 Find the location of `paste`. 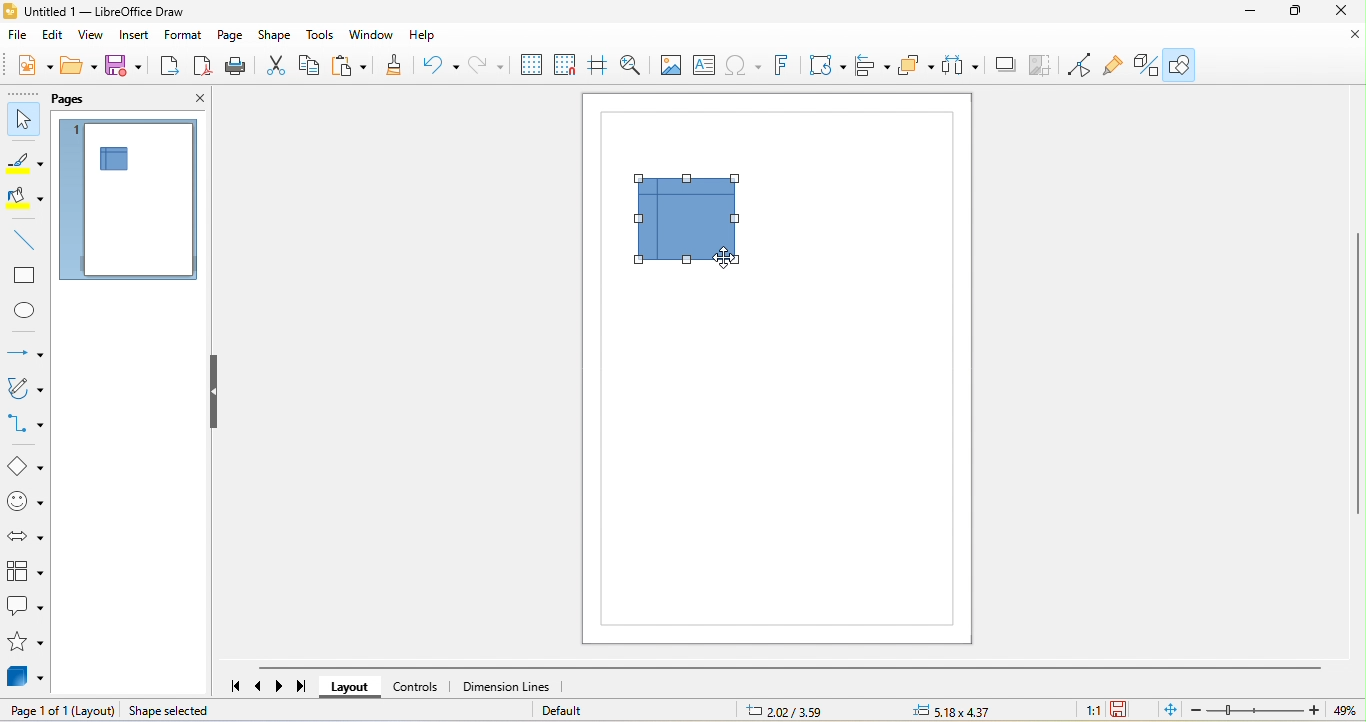

paste is located at coordinates (351, 68).